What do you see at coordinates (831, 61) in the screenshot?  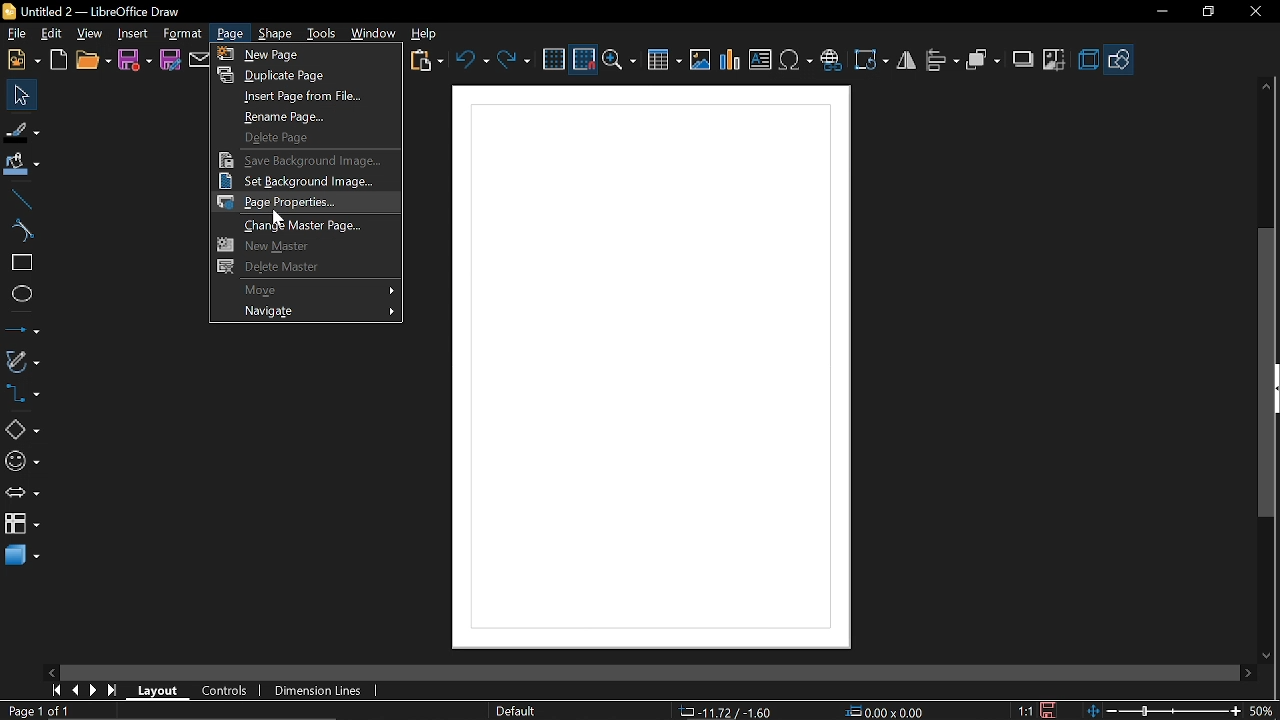 I see `Insert hyprelink` at bounding box center [831, 61].